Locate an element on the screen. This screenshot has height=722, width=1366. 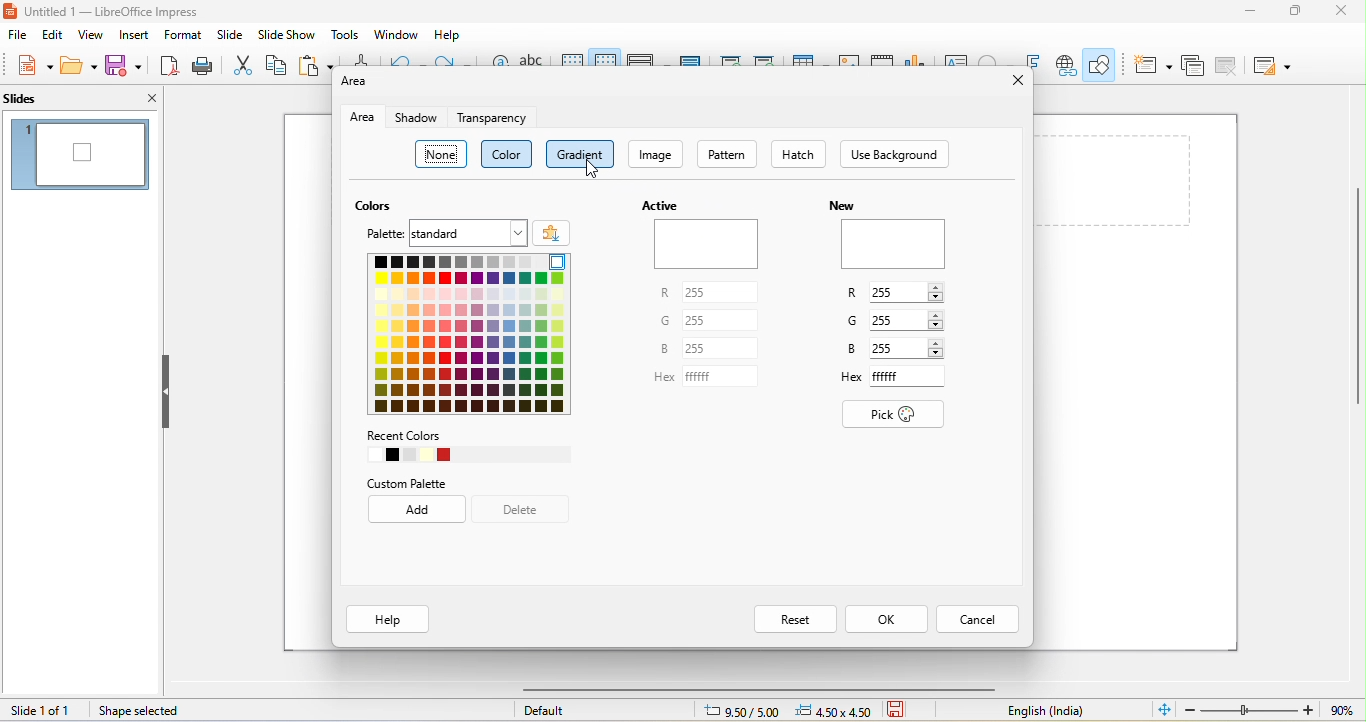
zoom is located at coordinates (1274, 709).